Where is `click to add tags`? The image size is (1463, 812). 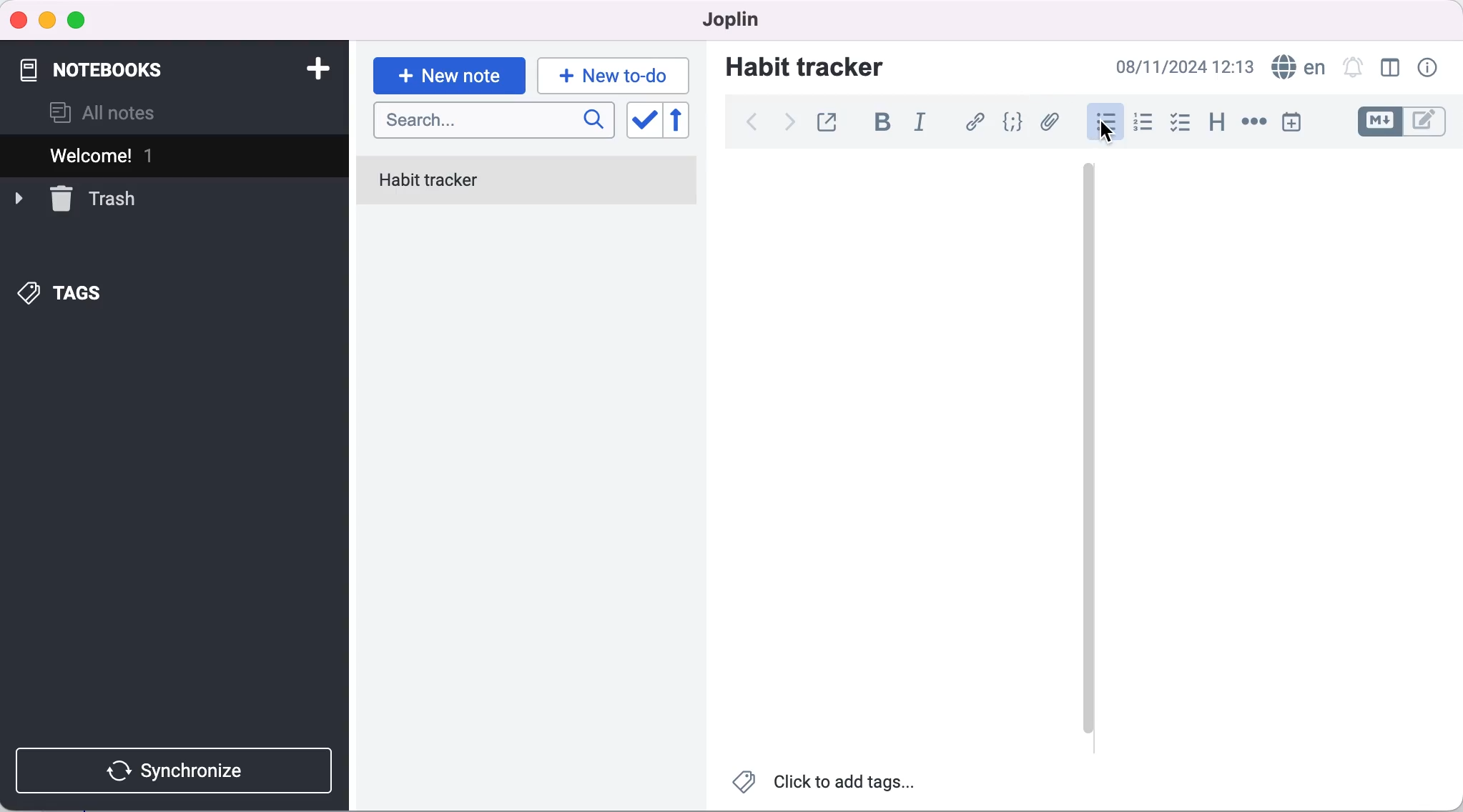 click to add tags is located at coordinates (826, 786).